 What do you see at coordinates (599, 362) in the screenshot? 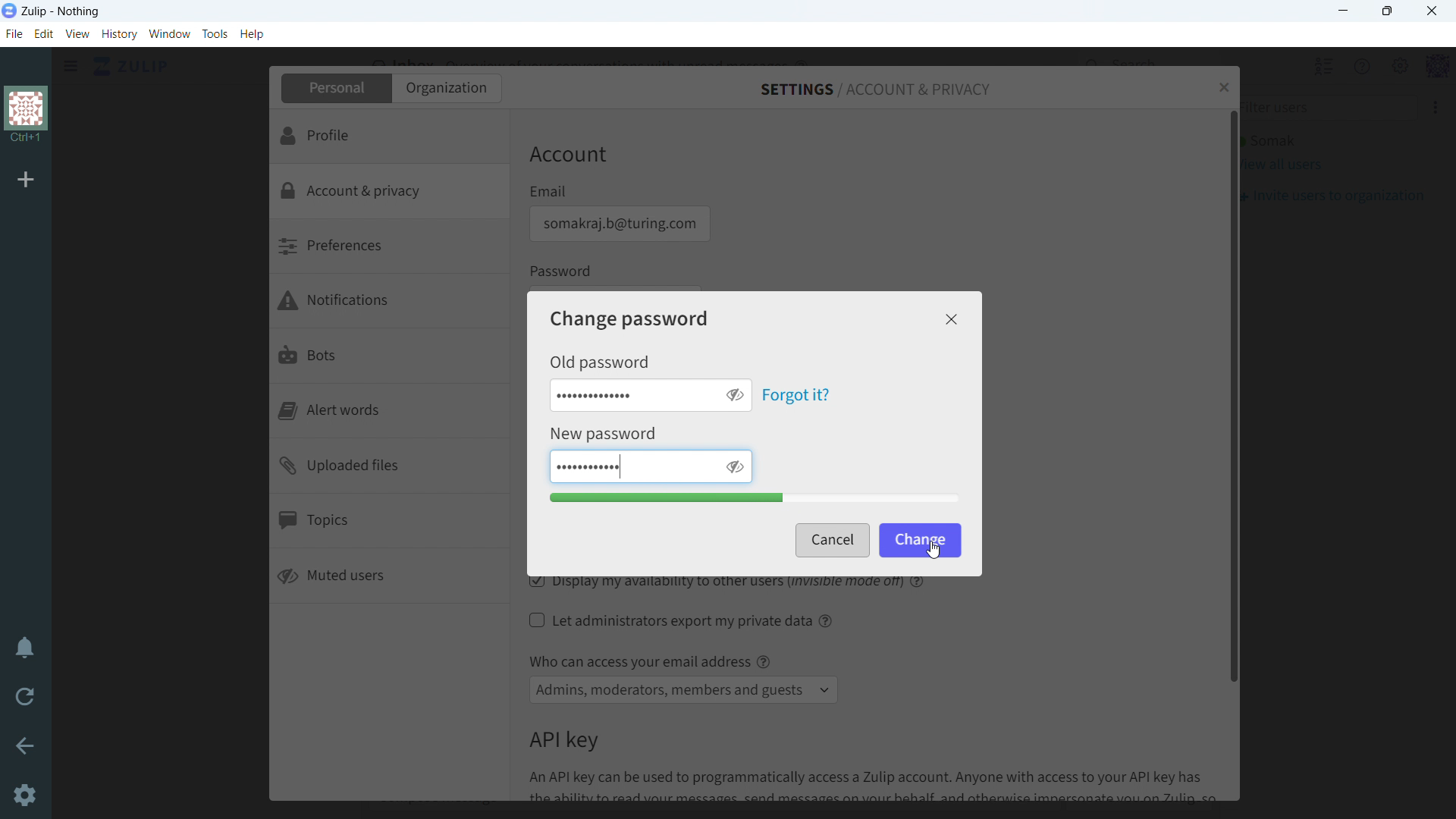
I see `Old password` at bounding box center [599, 362].